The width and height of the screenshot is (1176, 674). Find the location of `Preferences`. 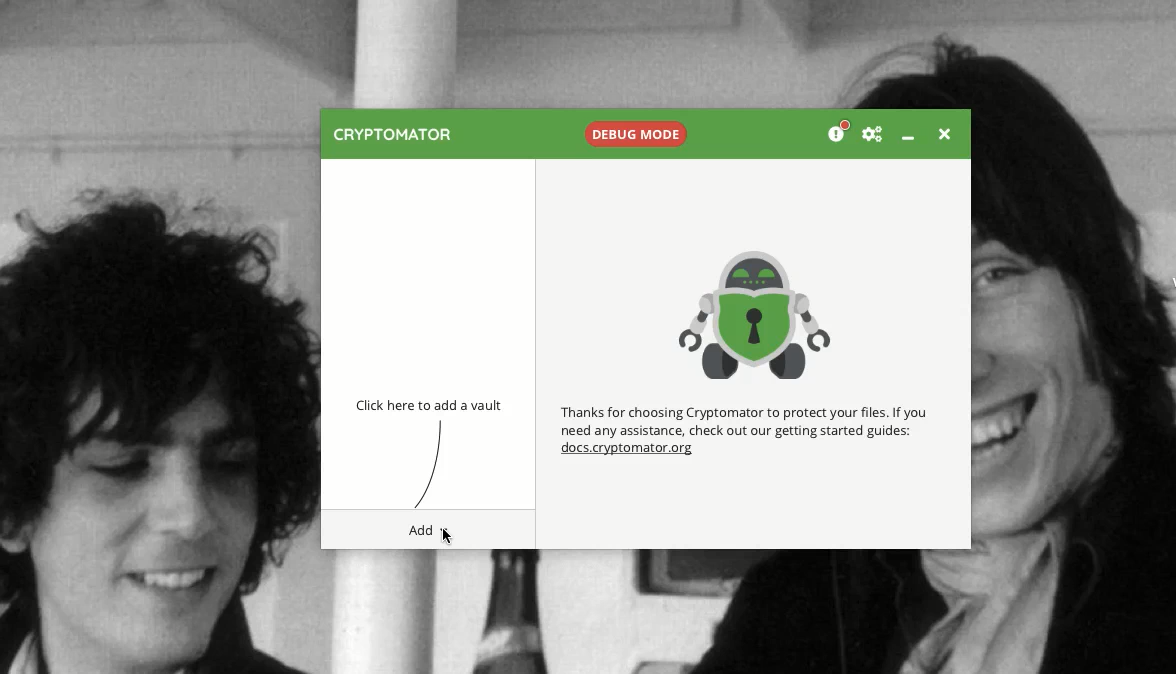

Preferences is located at coordinates (873, 134).